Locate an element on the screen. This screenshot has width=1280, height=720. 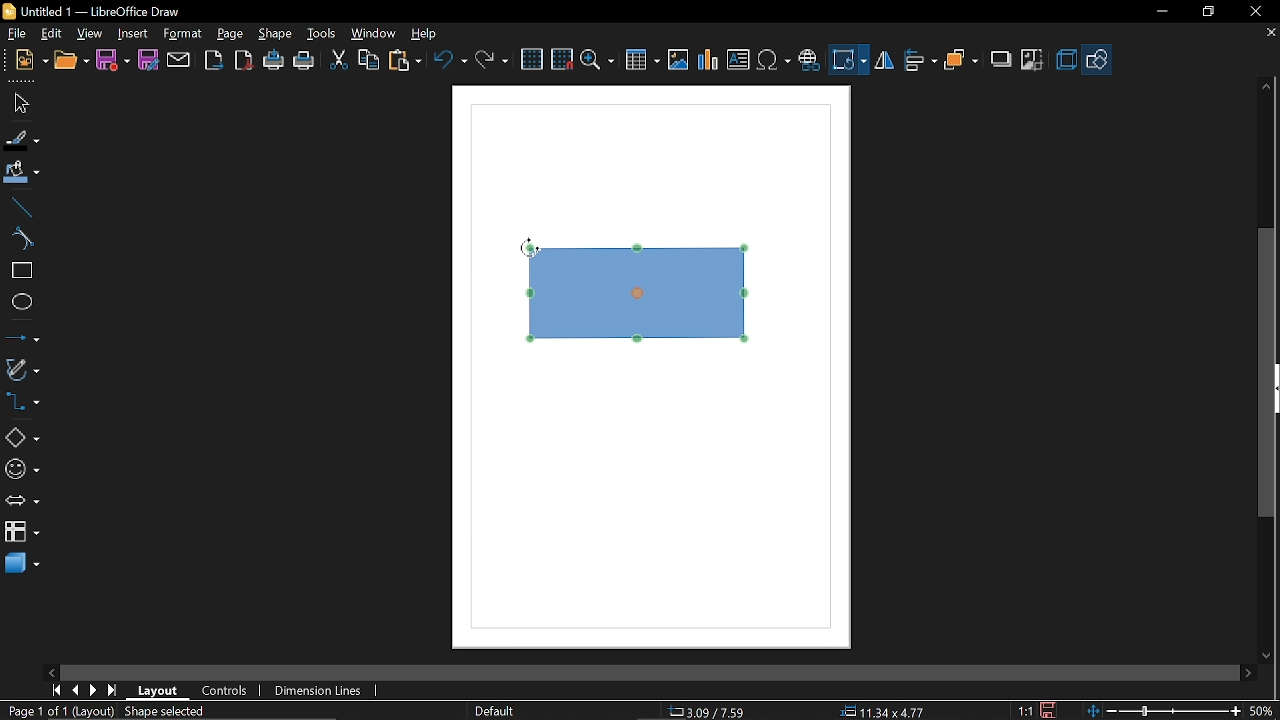
Save is located at coordinates (112, 60).